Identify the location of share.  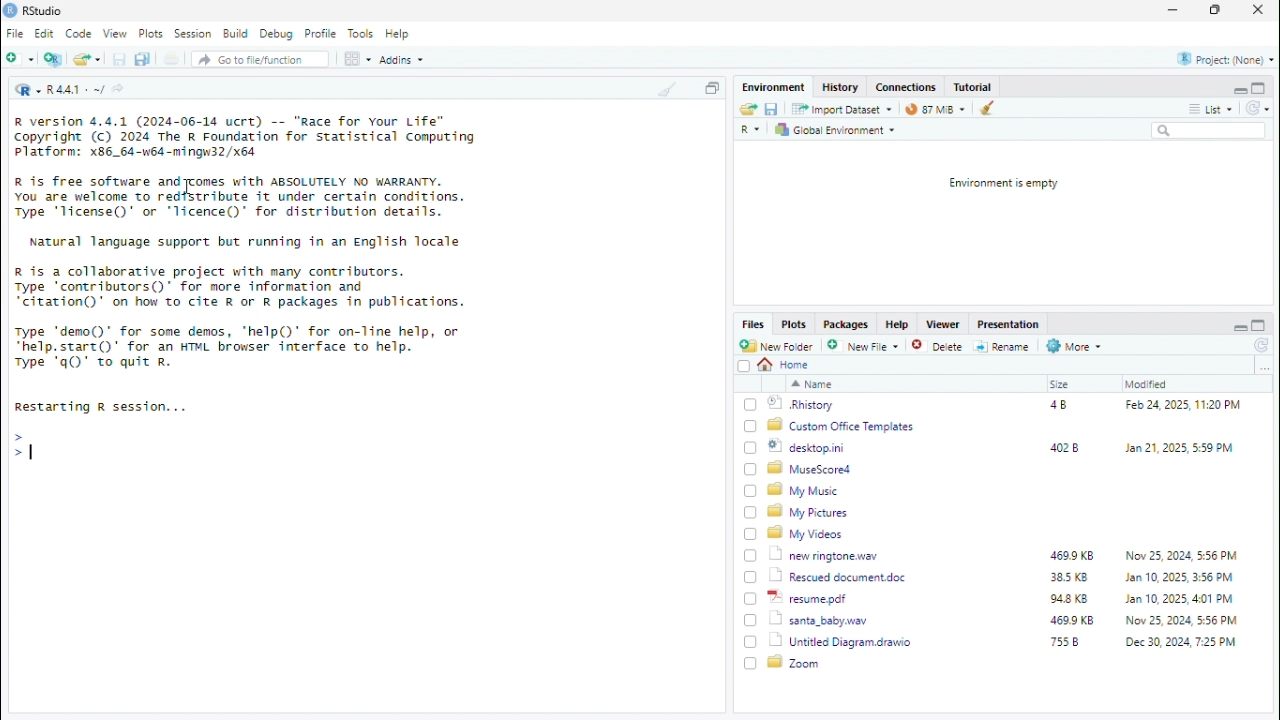
(118, 88).